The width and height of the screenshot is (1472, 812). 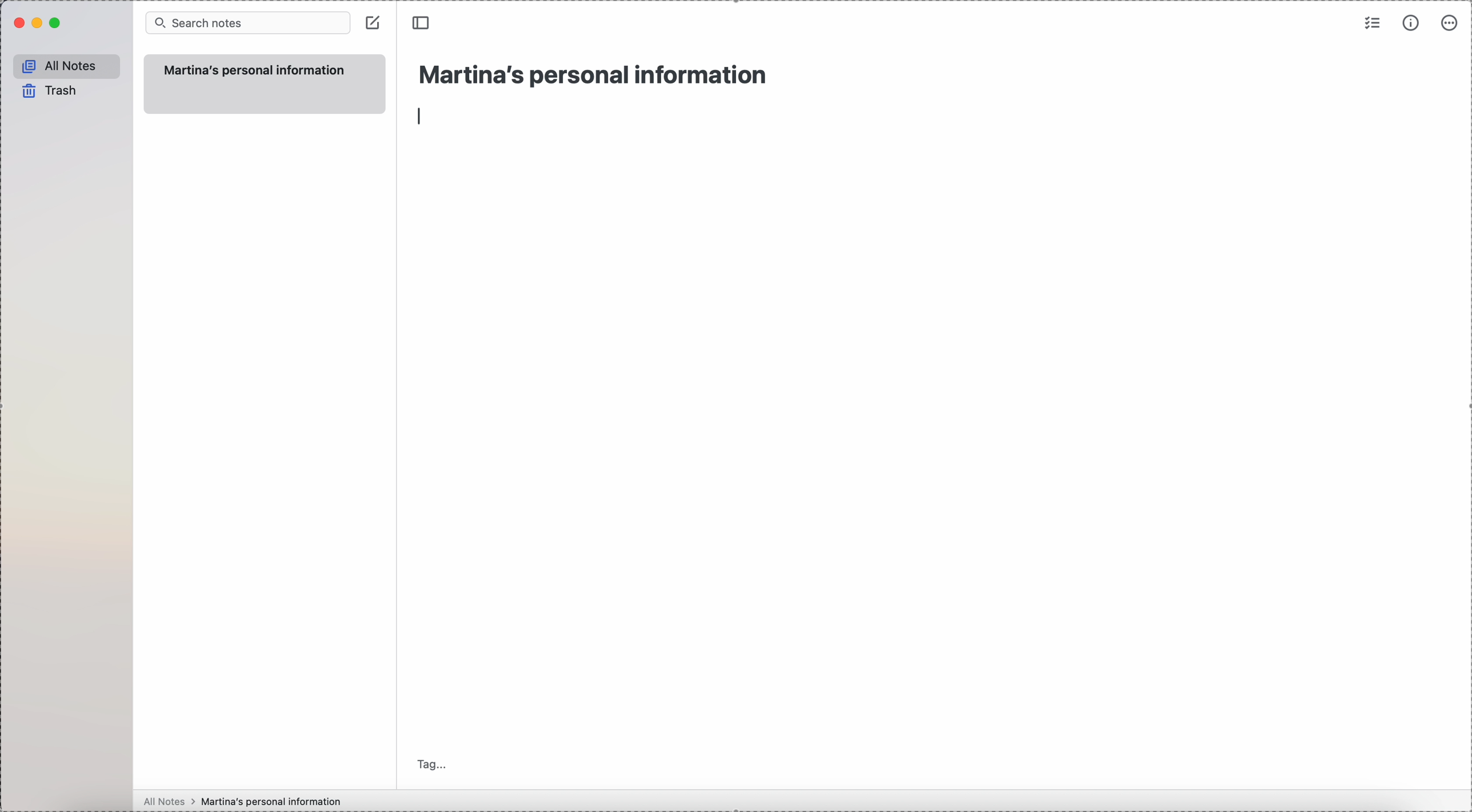 What do you see at coordinates (419, 23) in the screenshot?
I see `toggle sidebar` at bounding box center [419, 23].